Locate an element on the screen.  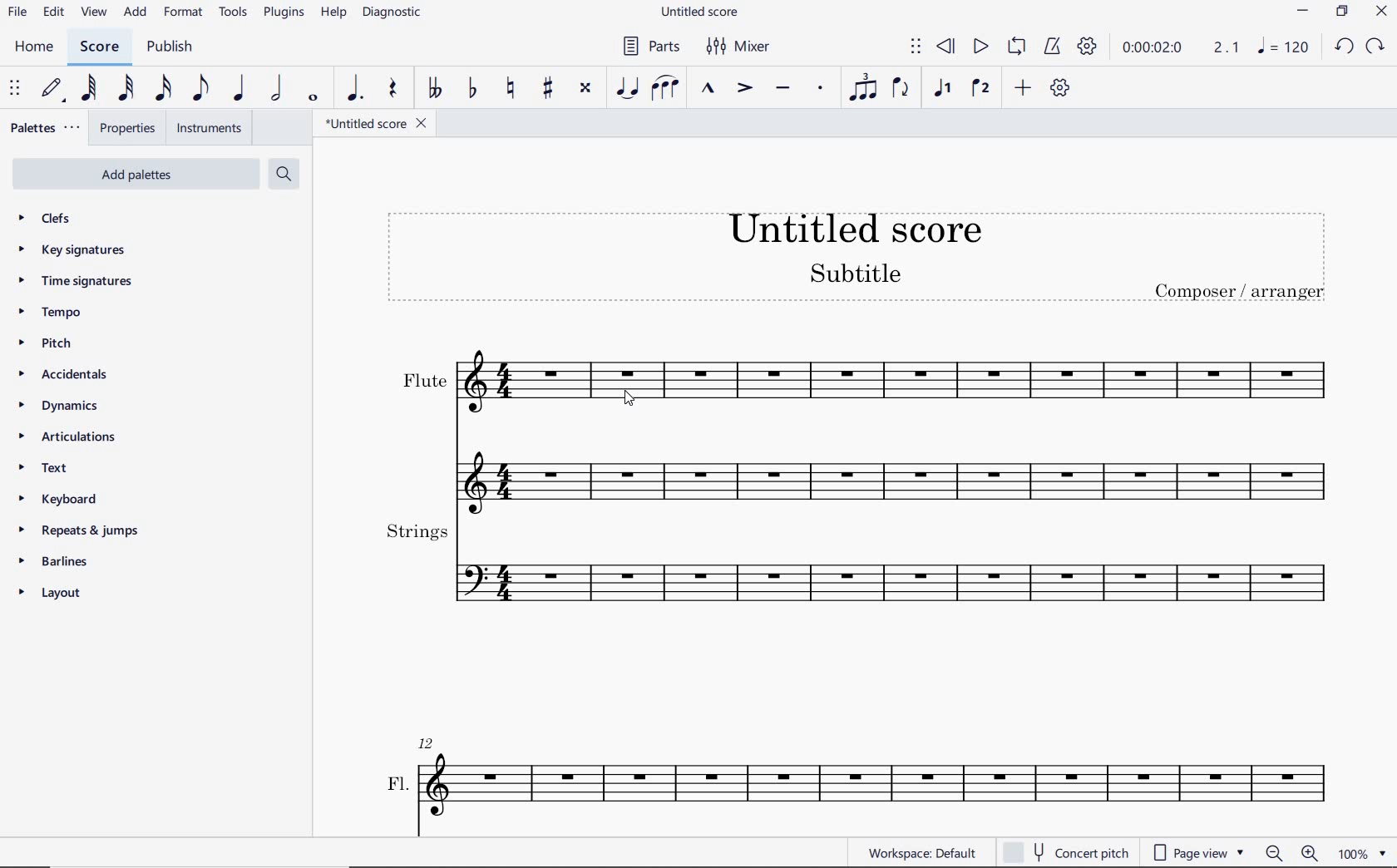
cursor is located at coordinates (629, 400).